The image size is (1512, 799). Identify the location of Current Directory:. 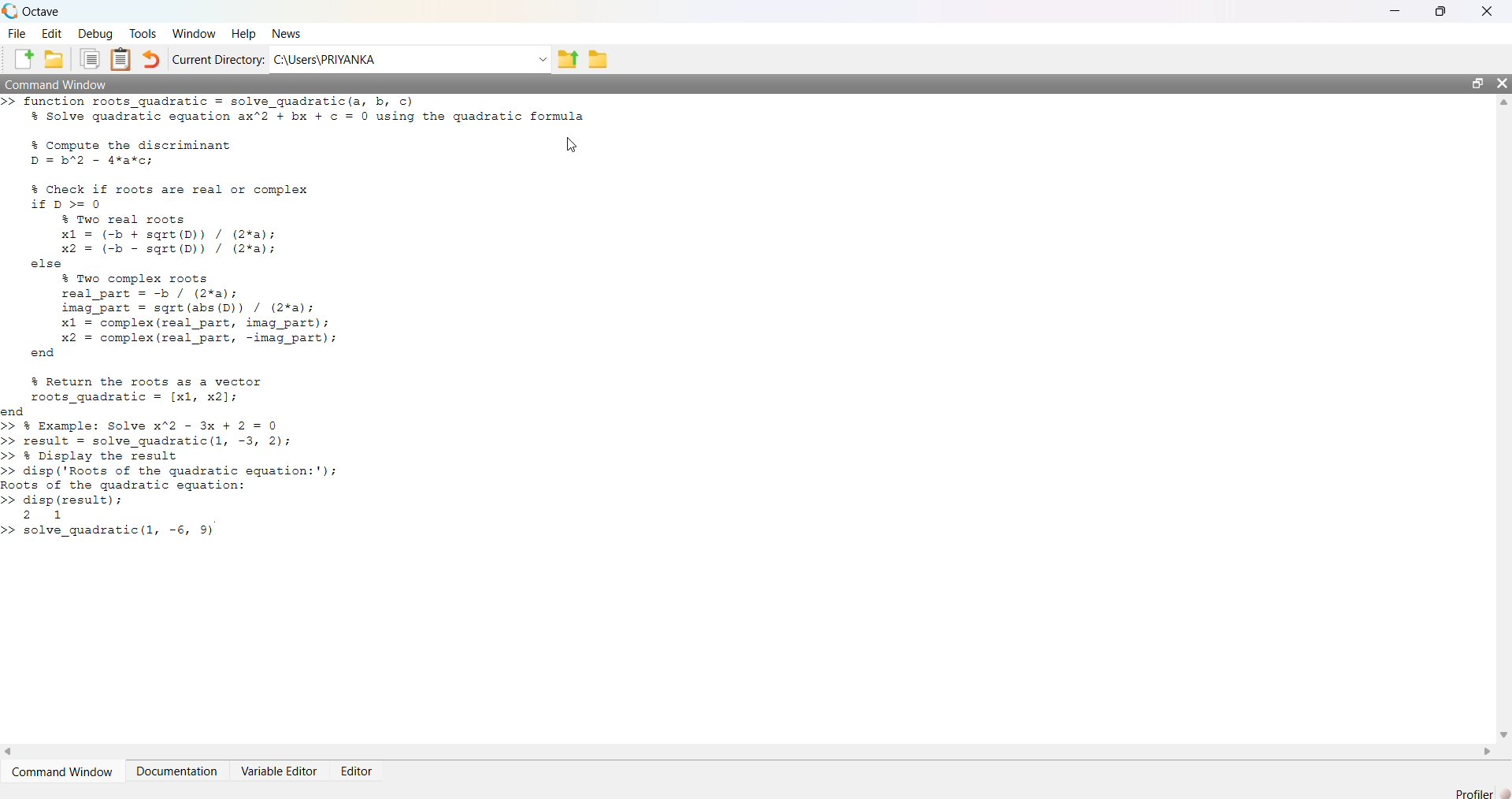
(218, 59).